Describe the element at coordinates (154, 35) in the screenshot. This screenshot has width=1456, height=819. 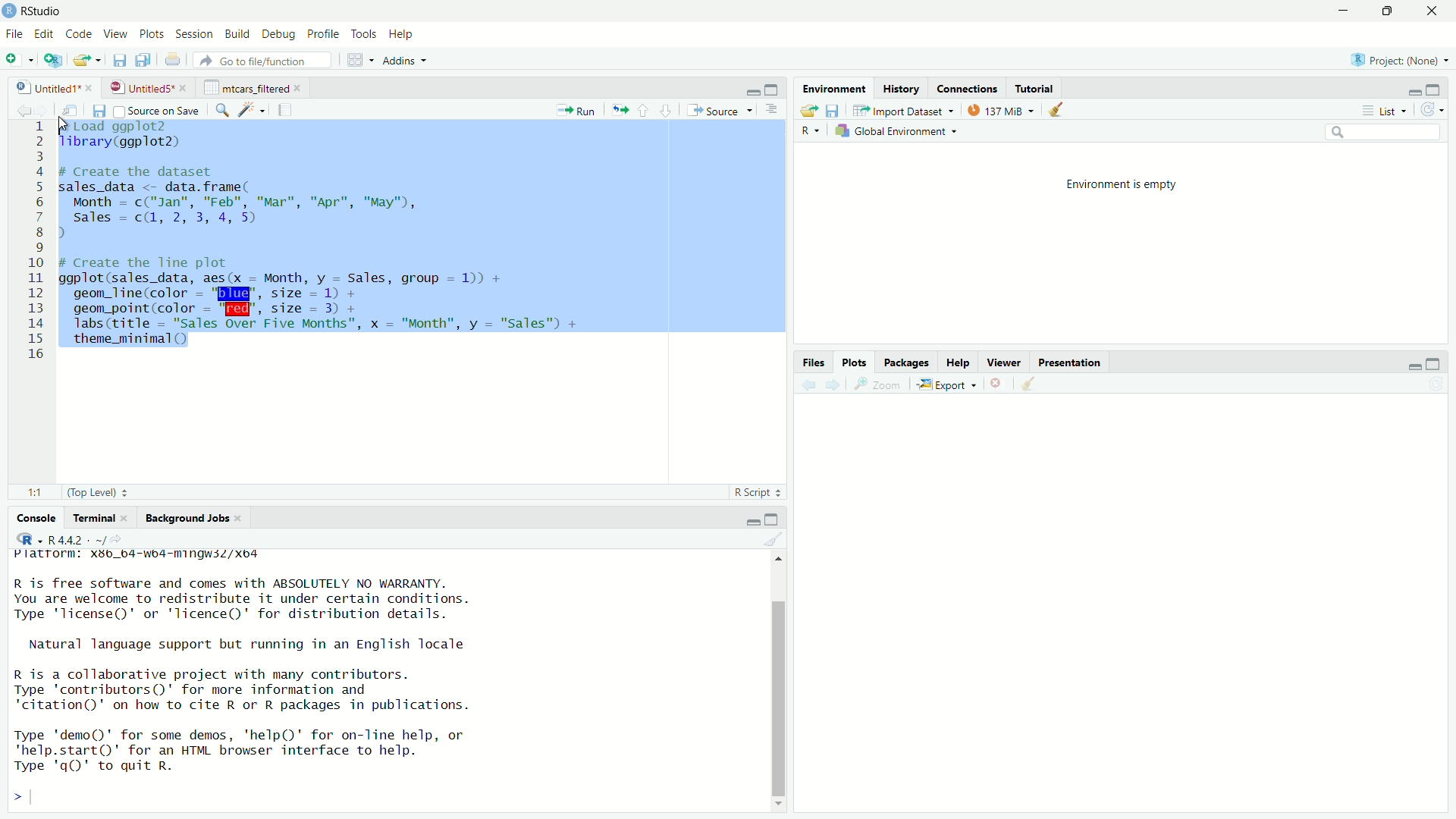
I see `plots` at that location.